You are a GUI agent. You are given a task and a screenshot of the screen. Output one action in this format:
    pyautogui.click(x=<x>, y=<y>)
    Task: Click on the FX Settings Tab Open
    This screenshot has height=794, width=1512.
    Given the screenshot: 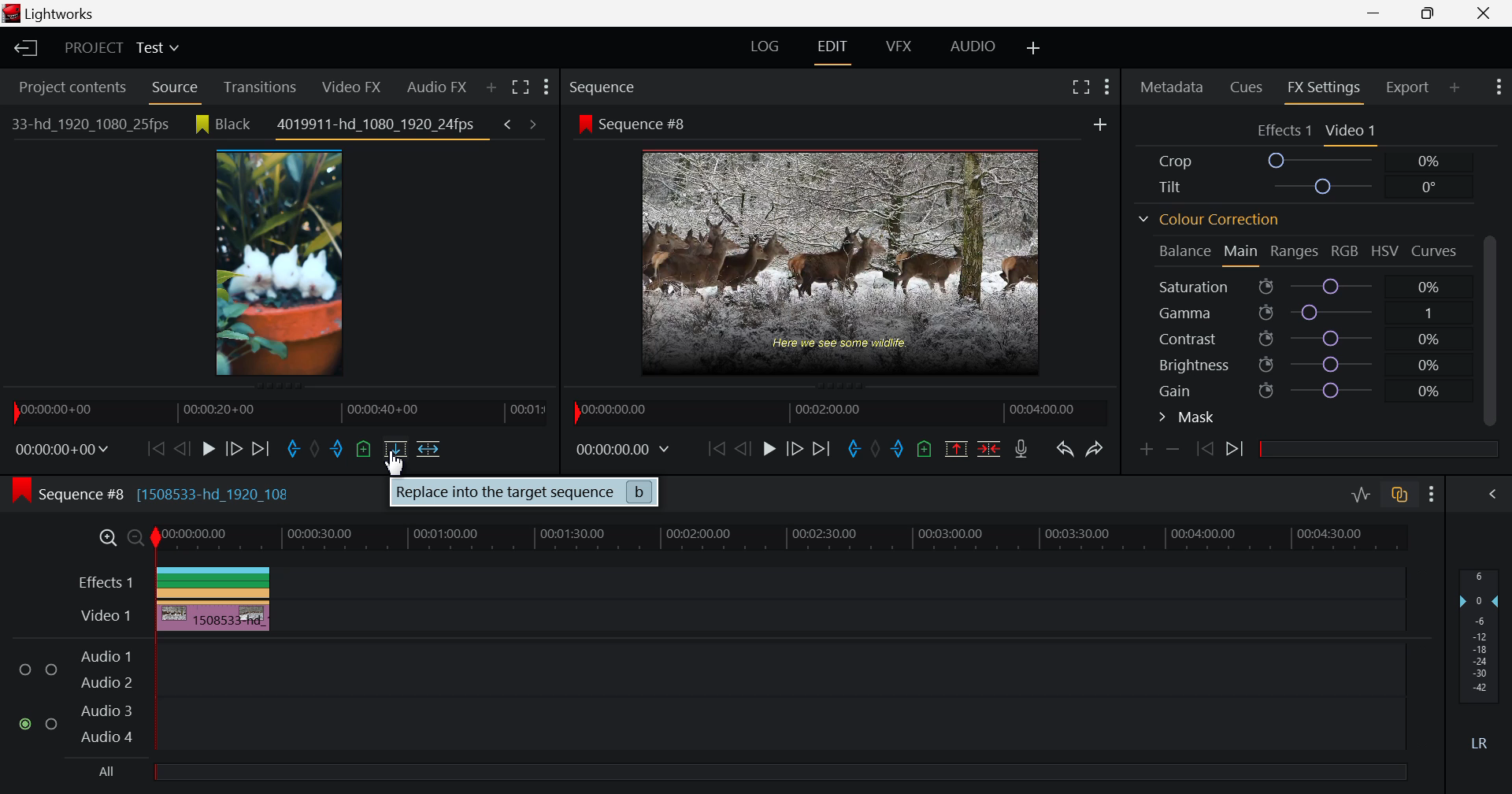 What is the action you would take?
    pyautogui.click(x=1323, y=88)
    